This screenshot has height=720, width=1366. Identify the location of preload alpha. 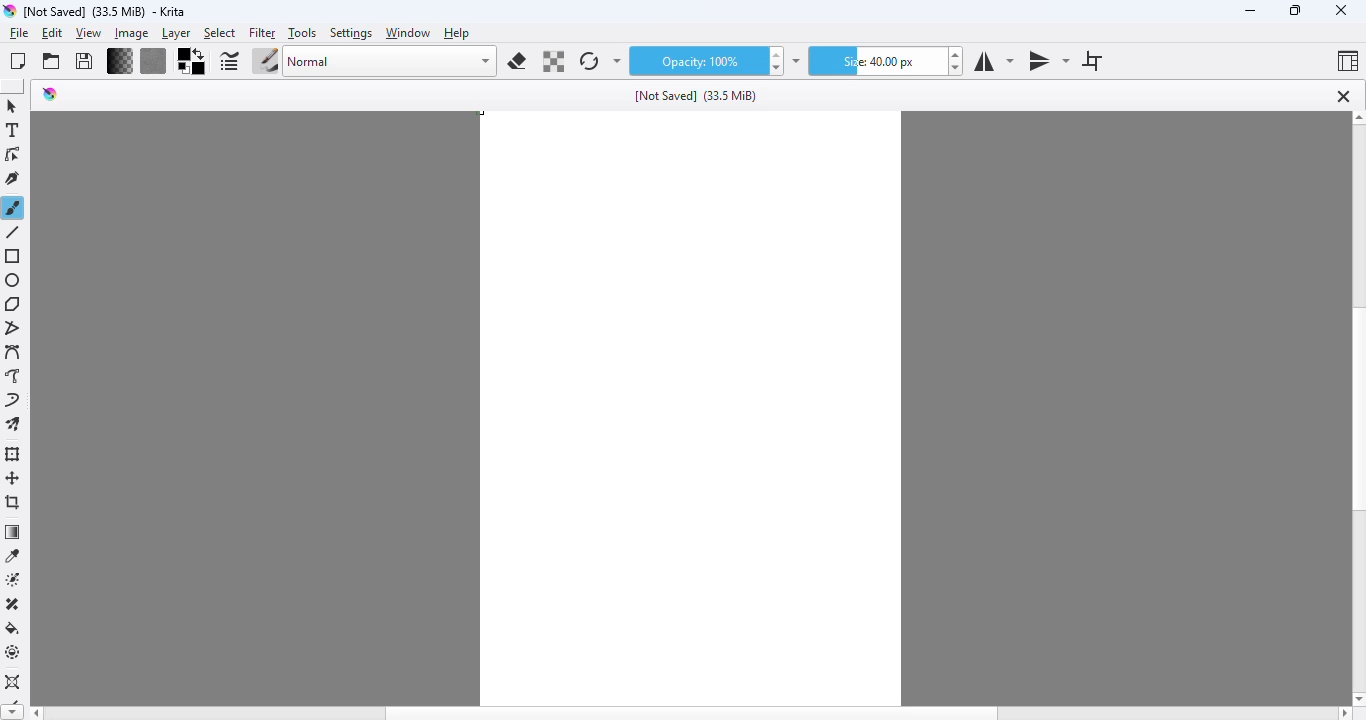
(554, 62).